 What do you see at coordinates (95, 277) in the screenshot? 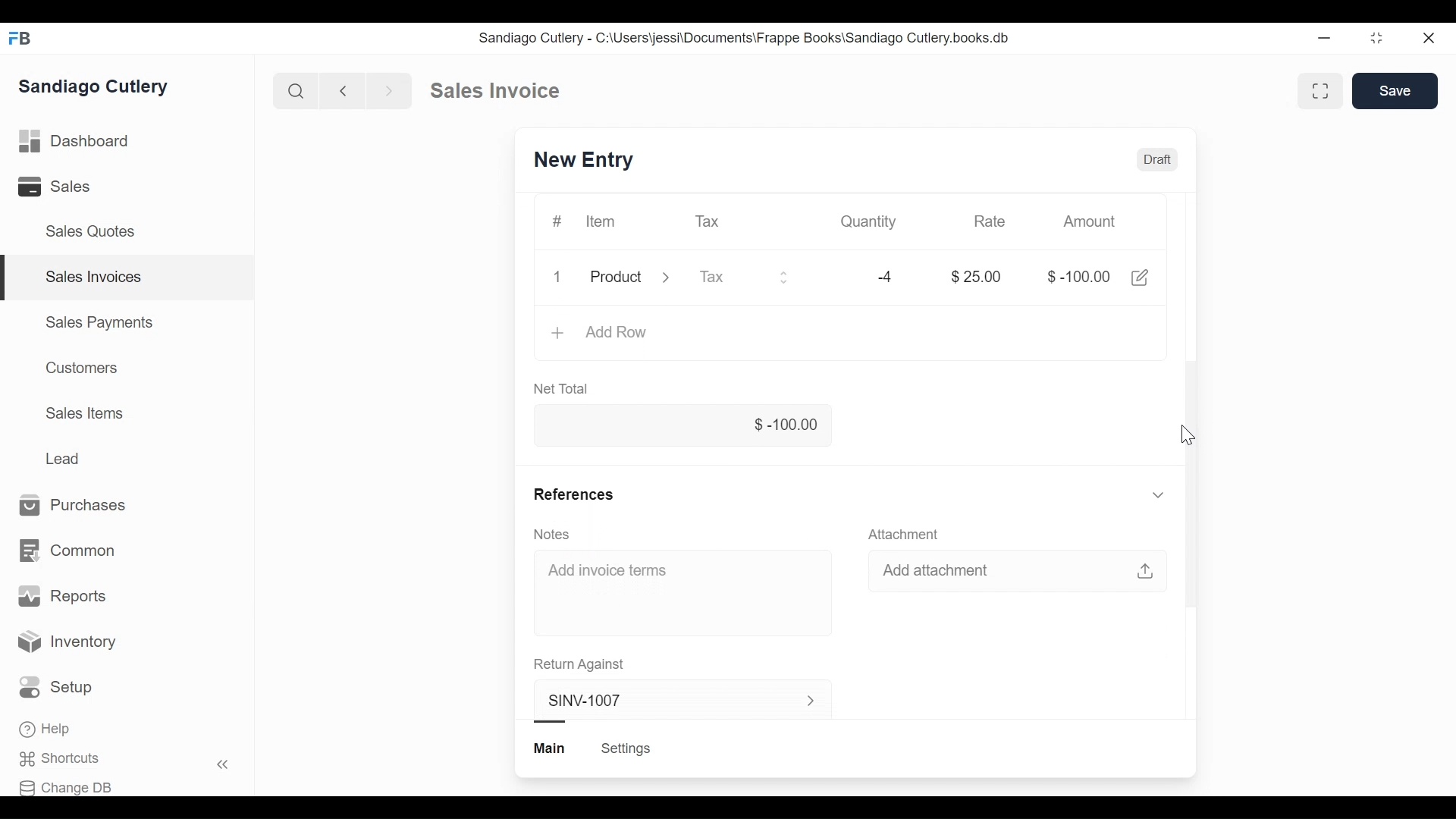
I see `Sales Invoices` at bounding box center [95, 277].